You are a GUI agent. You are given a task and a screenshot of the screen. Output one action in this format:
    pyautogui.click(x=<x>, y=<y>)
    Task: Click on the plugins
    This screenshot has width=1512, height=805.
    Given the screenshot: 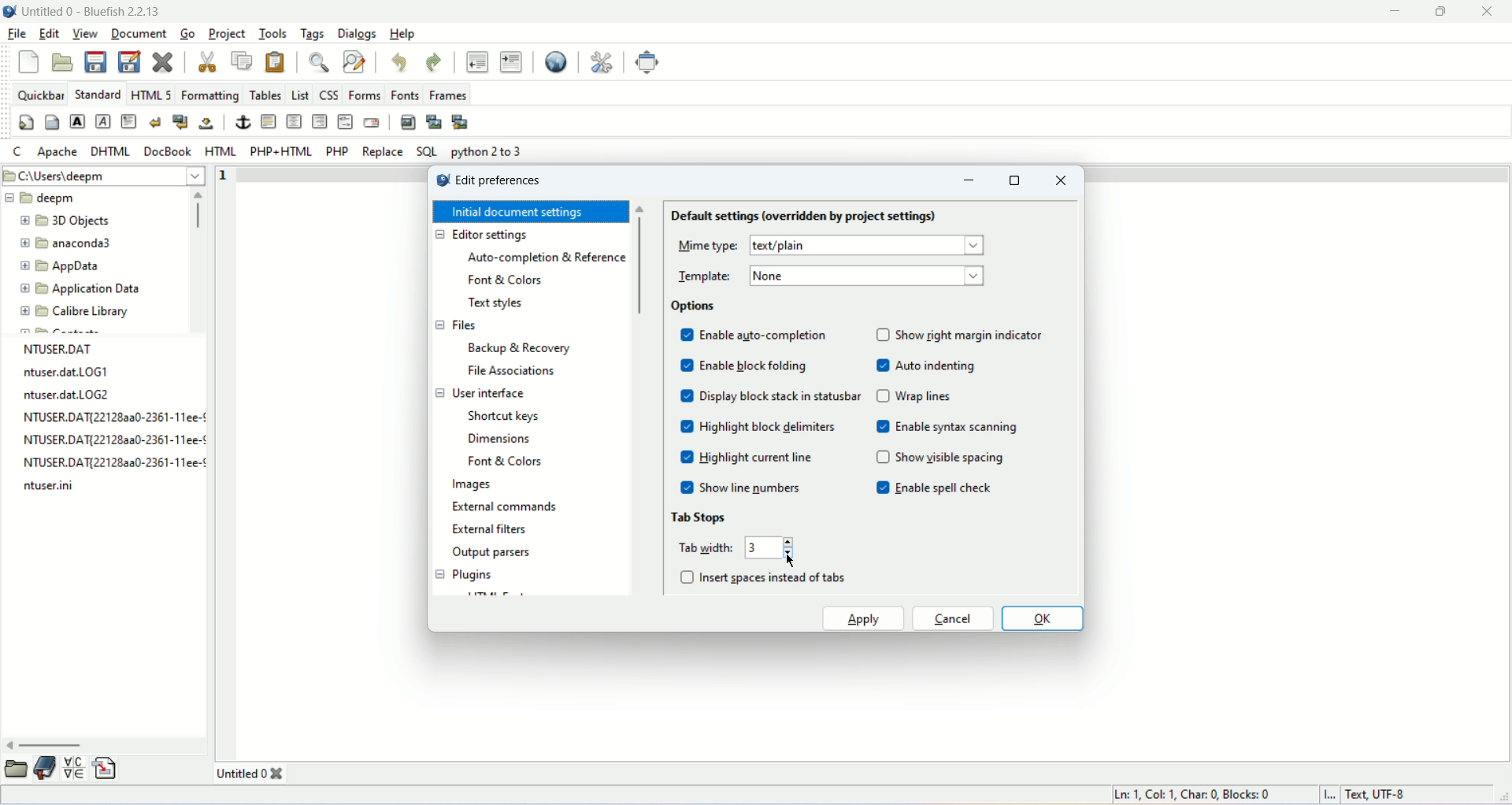 What is the action you would take?
    pyautogui.click(x=462, y=575)
    